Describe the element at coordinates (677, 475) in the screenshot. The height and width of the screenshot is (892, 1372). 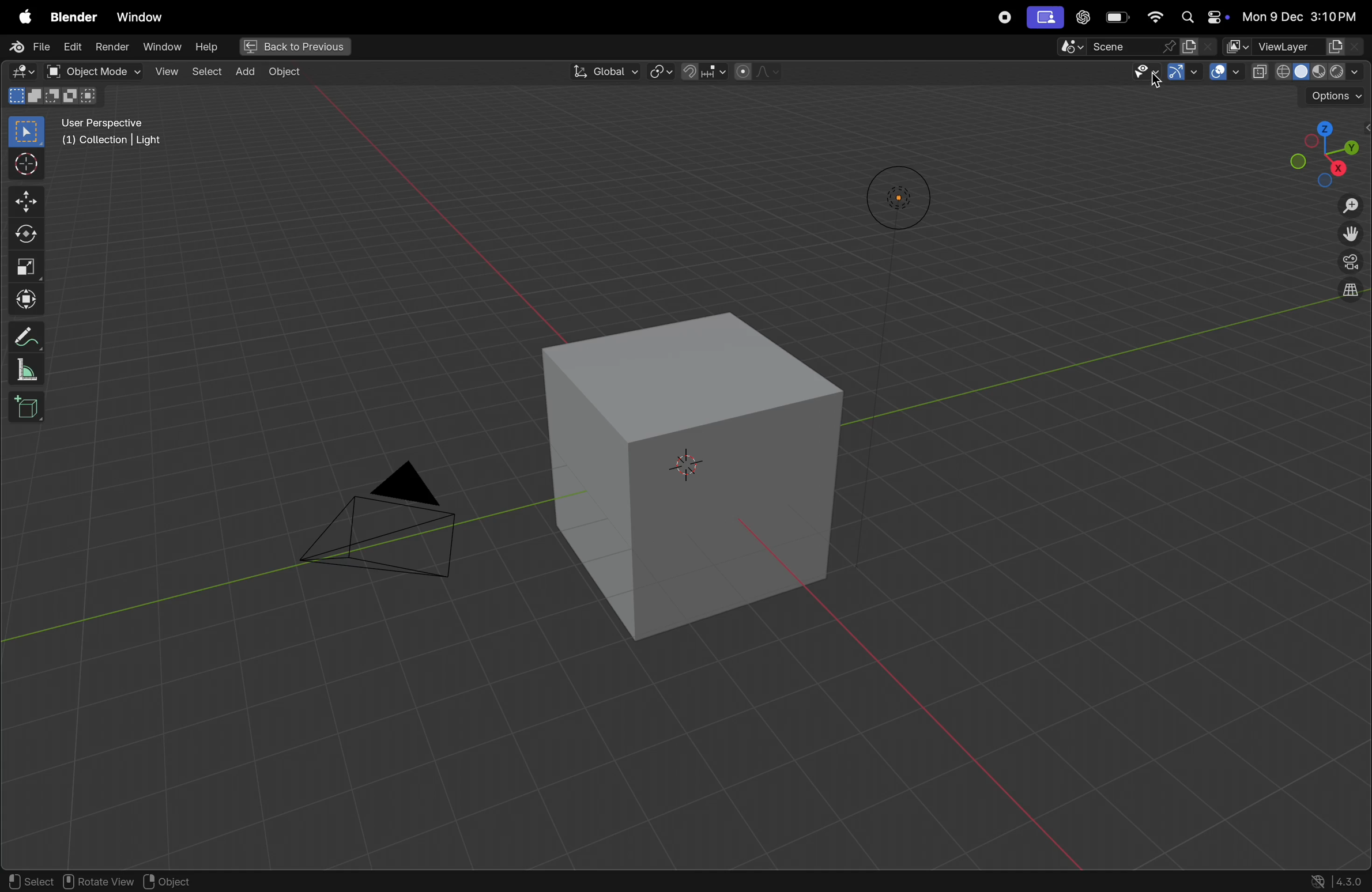
I see `cube` at that location.